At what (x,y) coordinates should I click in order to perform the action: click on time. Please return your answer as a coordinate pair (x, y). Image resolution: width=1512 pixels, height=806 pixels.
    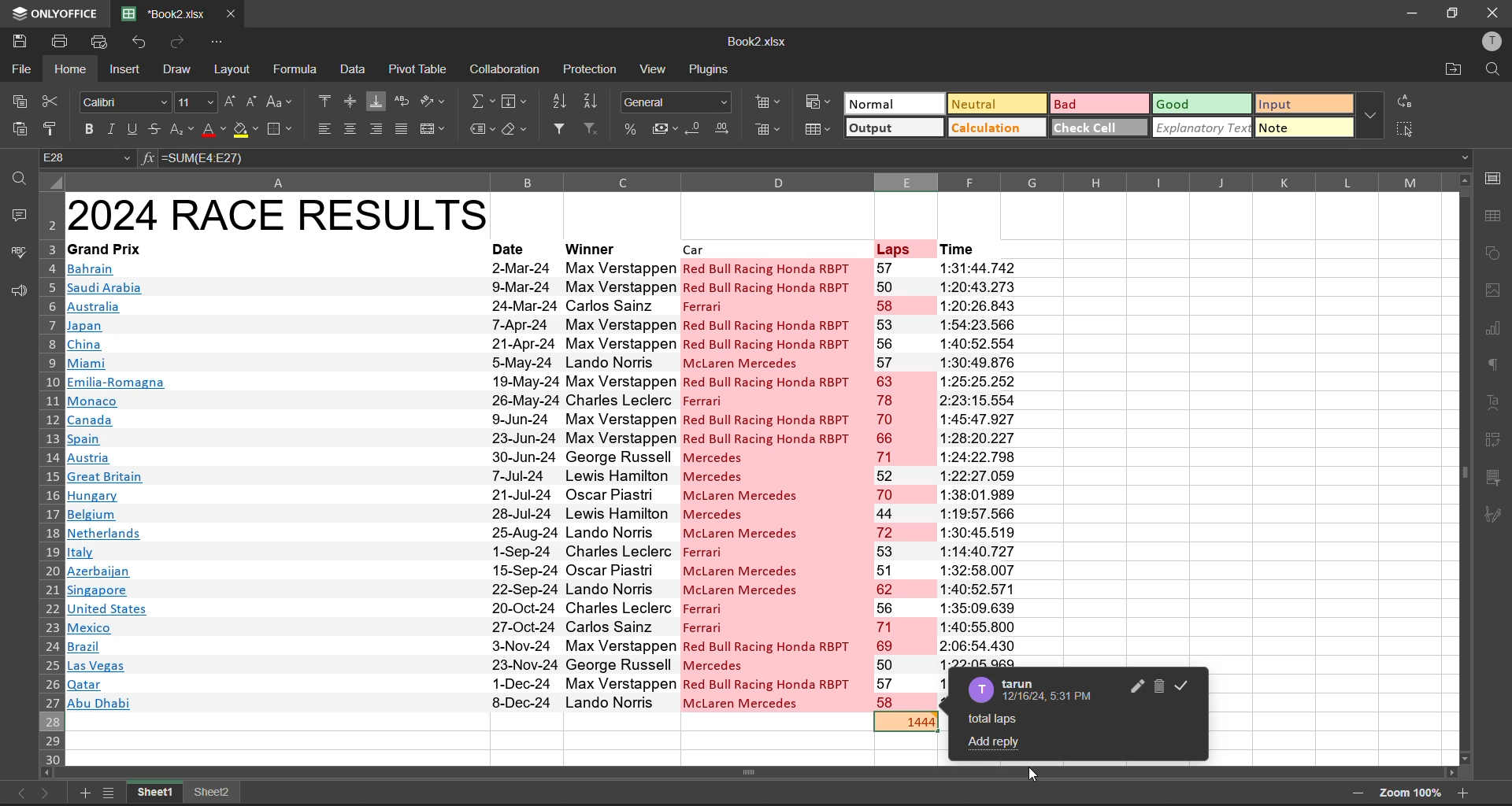
    Looking at the image, I should click on (980, 457).